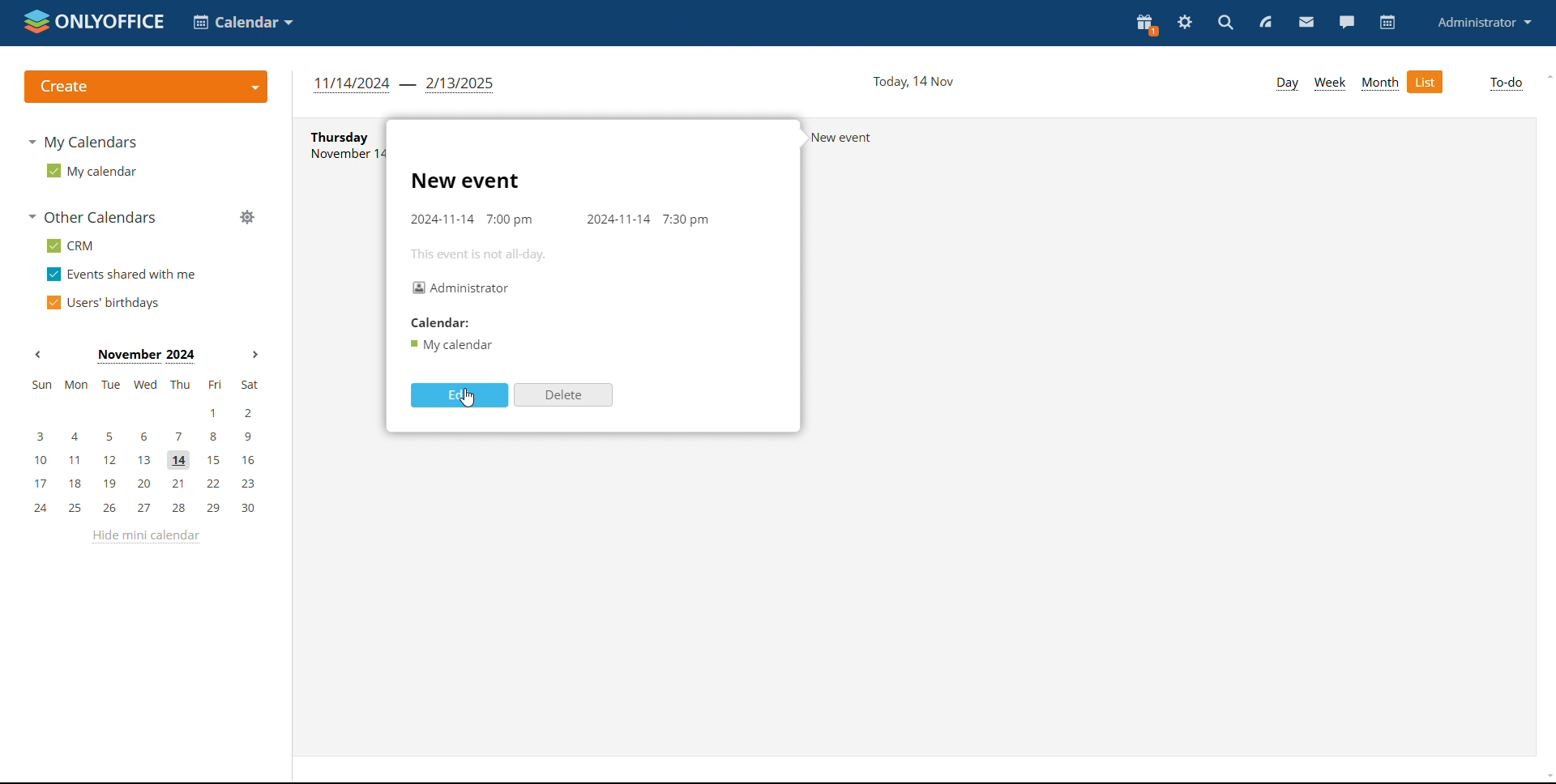 This screenshot has height=784, width=1556. I want to click on settings, so click(1186, 21).